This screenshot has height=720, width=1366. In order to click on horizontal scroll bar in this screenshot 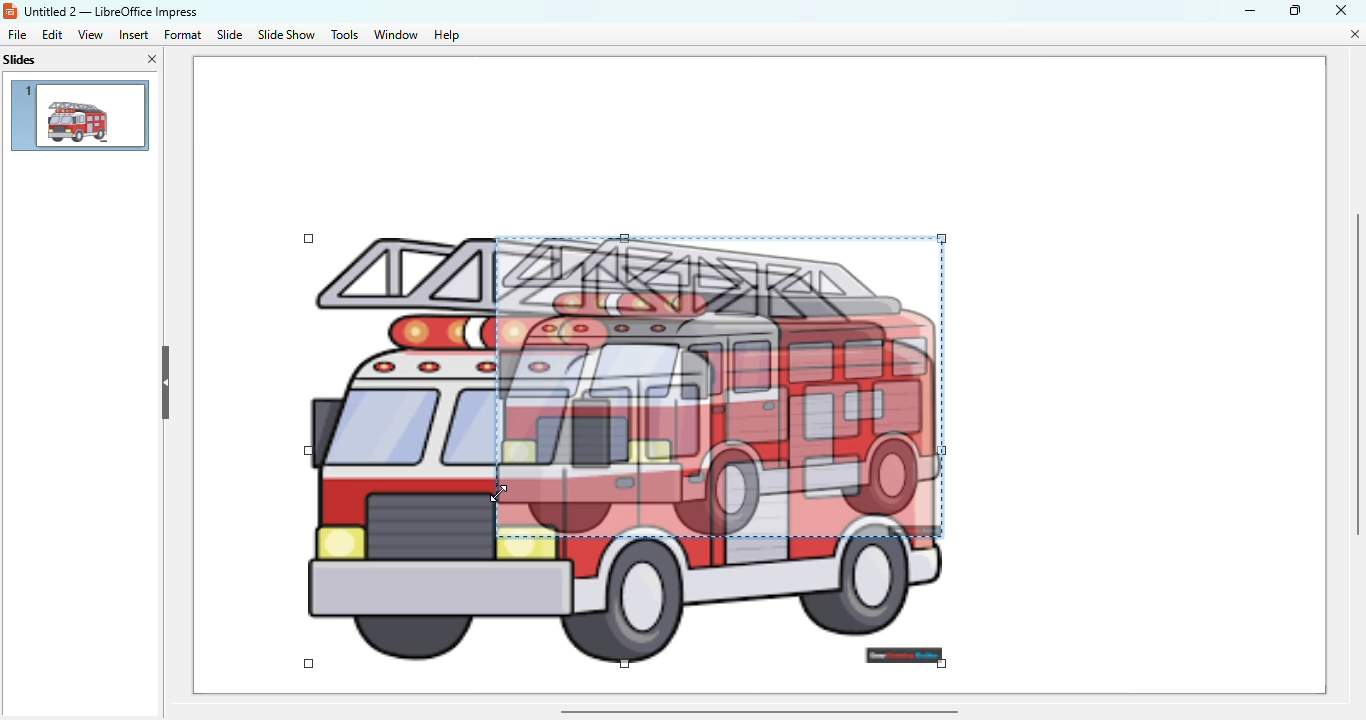, I will do `click(759, 712)`.